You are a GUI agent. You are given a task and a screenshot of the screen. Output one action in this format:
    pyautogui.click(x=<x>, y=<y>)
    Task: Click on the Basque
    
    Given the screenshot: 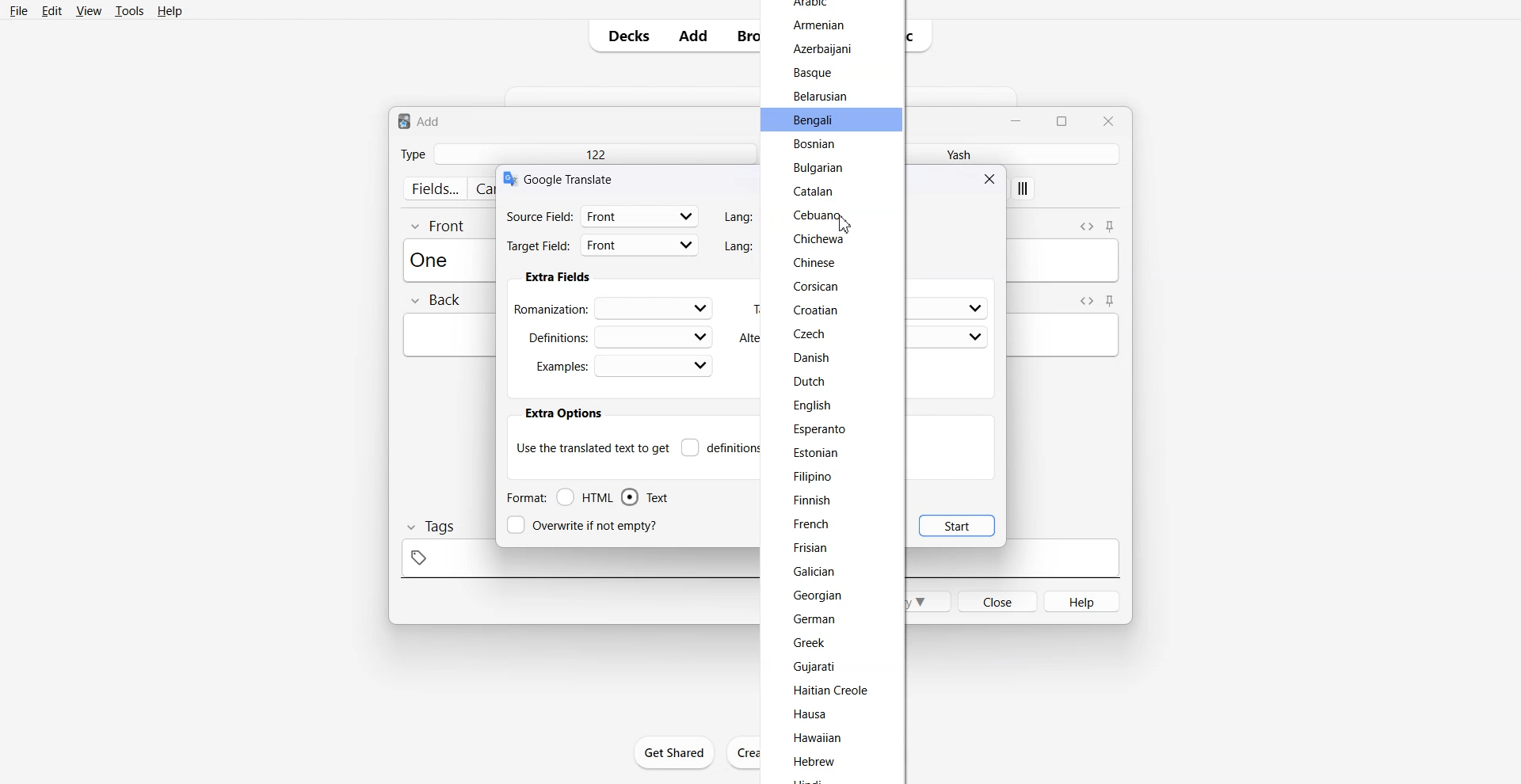 What is the action you would take?
    pyautogui.click(x=812, y=74)
    